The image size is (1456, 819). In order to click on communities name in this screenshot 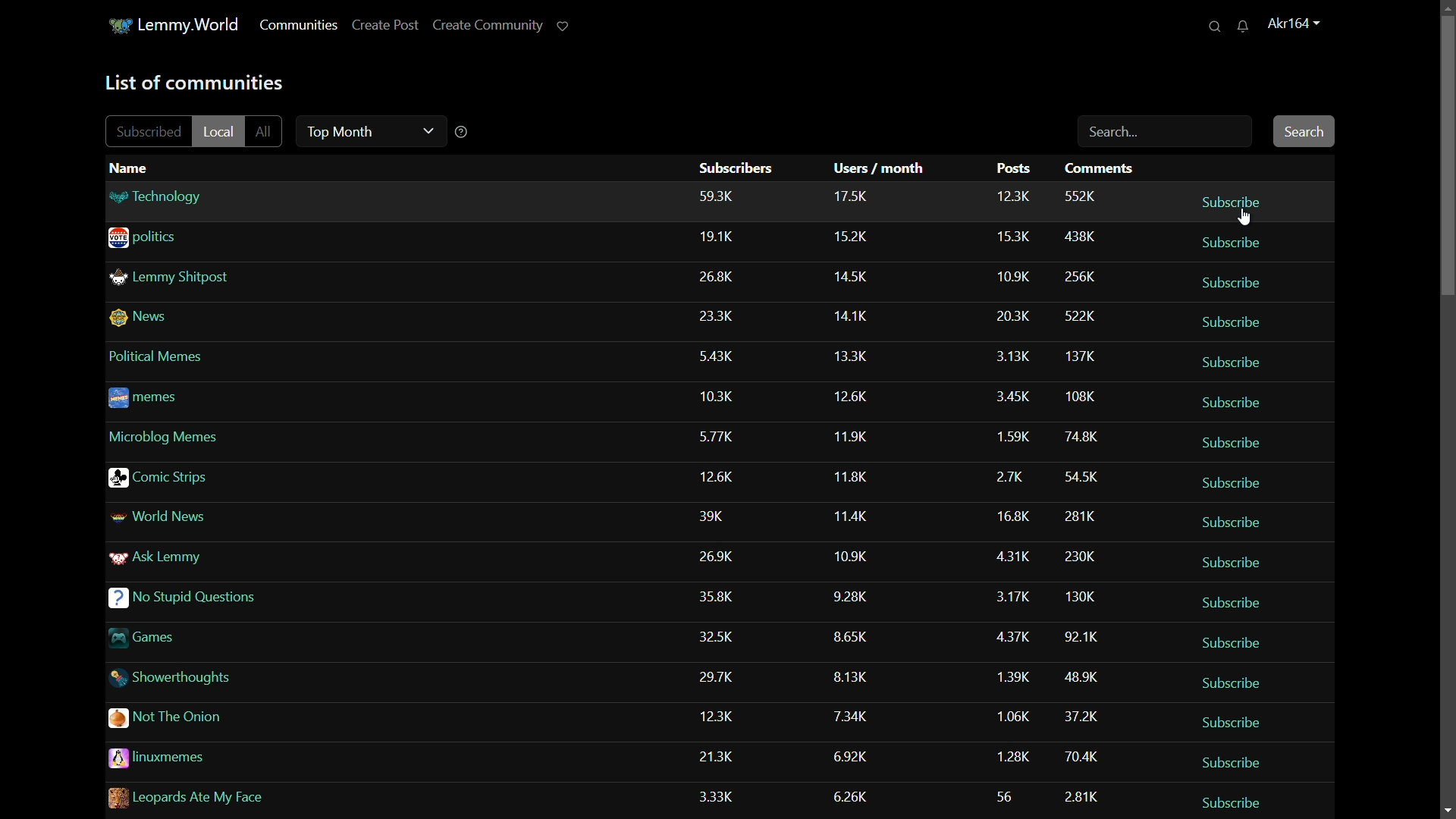, I will do `click(243, 519)`.